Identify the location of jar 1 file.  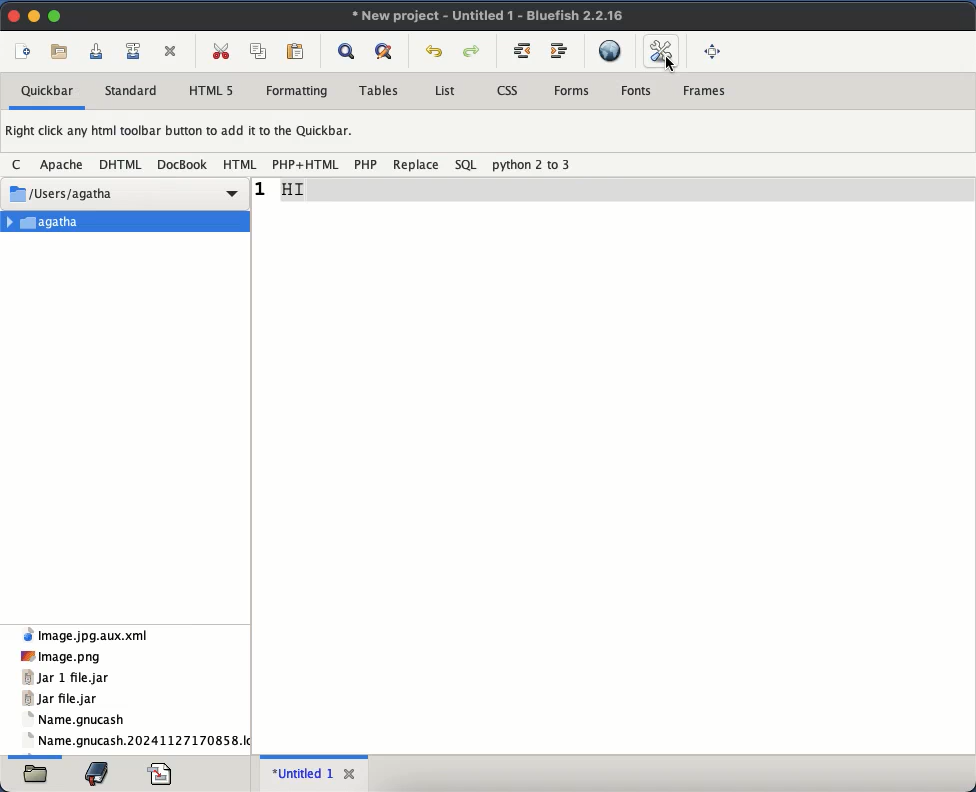
(68, 677).